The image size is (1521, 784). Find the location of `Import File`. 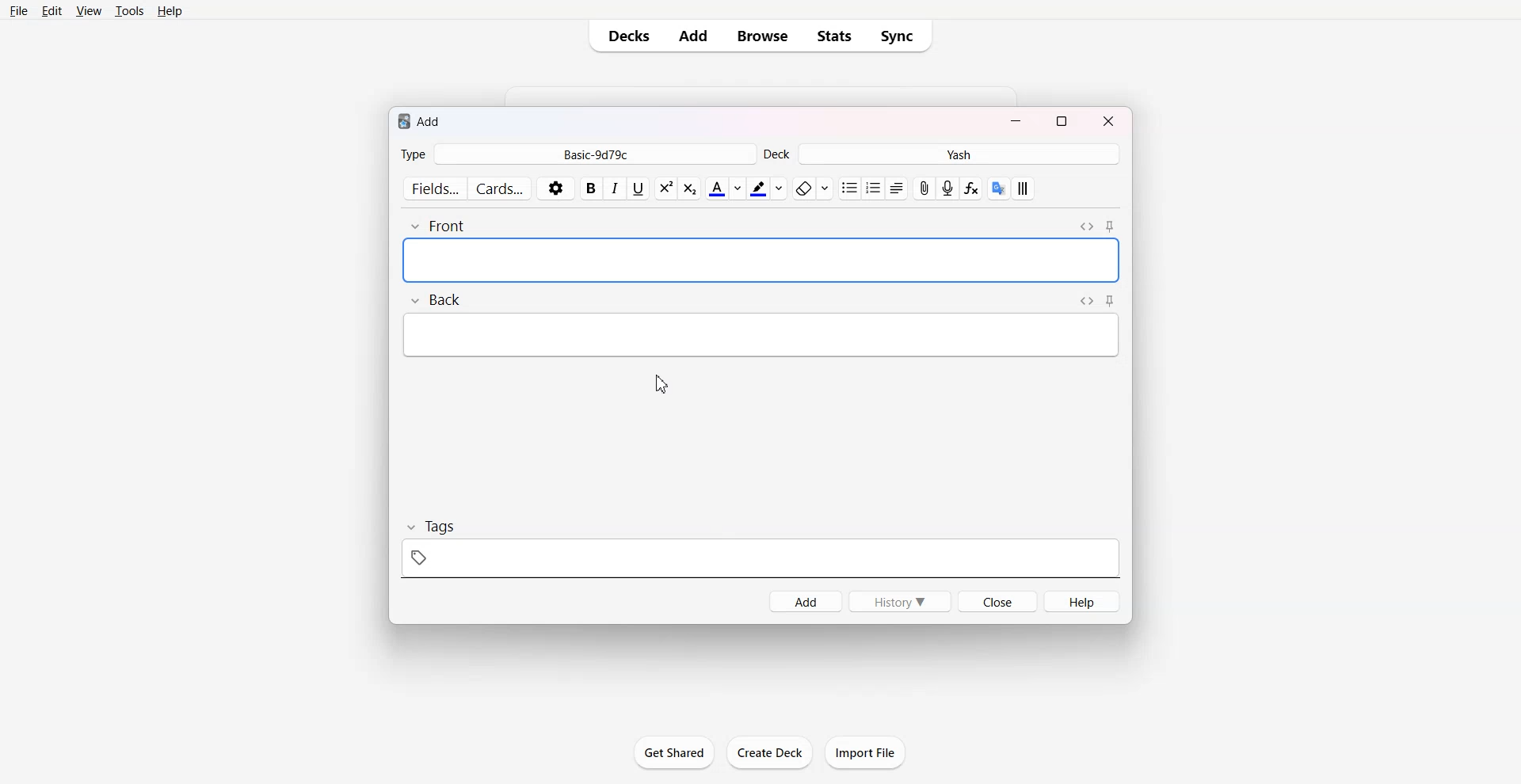

Import File is located at coordinates (866, 752).